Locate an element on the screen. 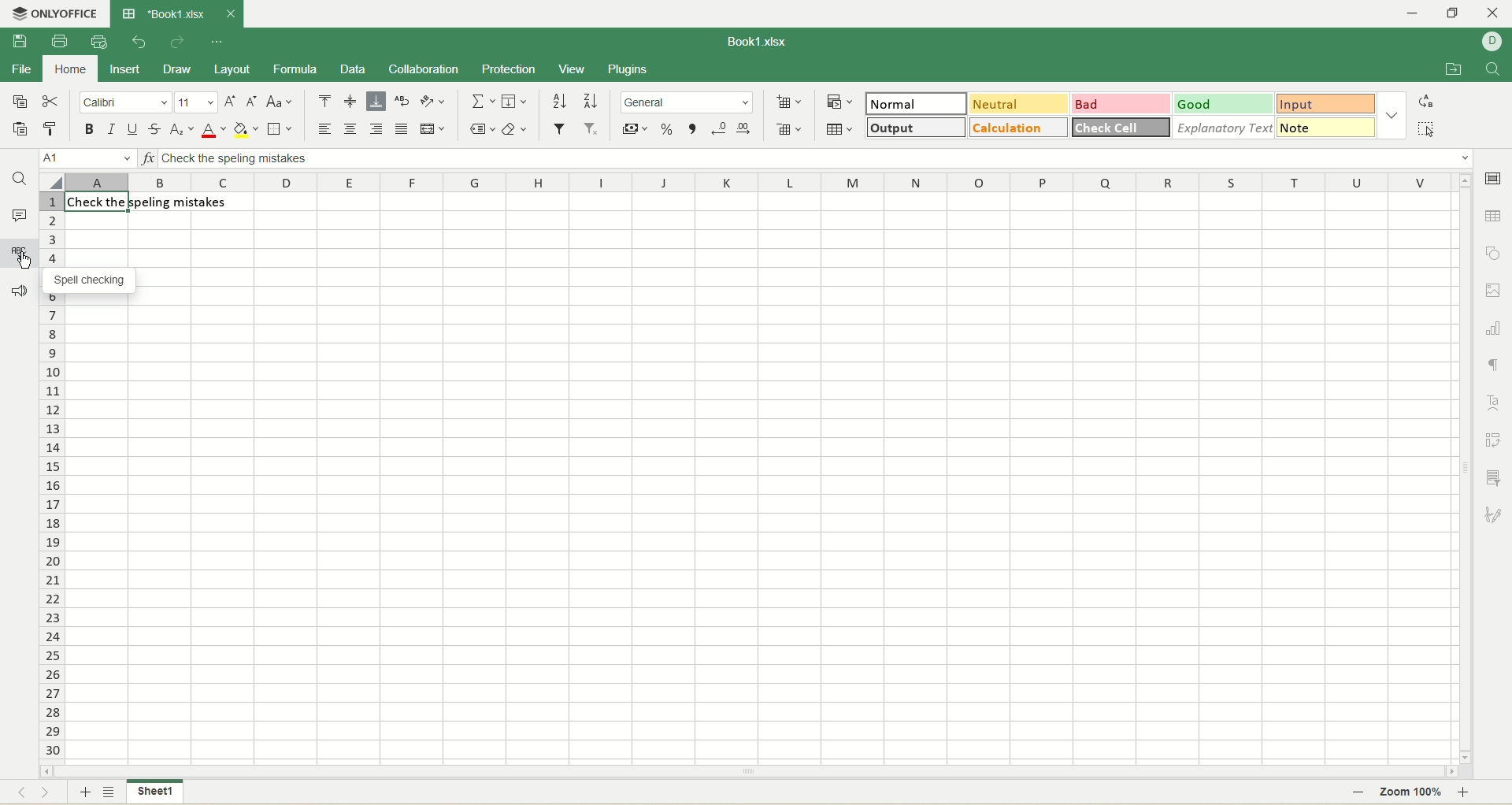 This screenshot has width=1512, height=805. fill is located at coordinates (514, 100).